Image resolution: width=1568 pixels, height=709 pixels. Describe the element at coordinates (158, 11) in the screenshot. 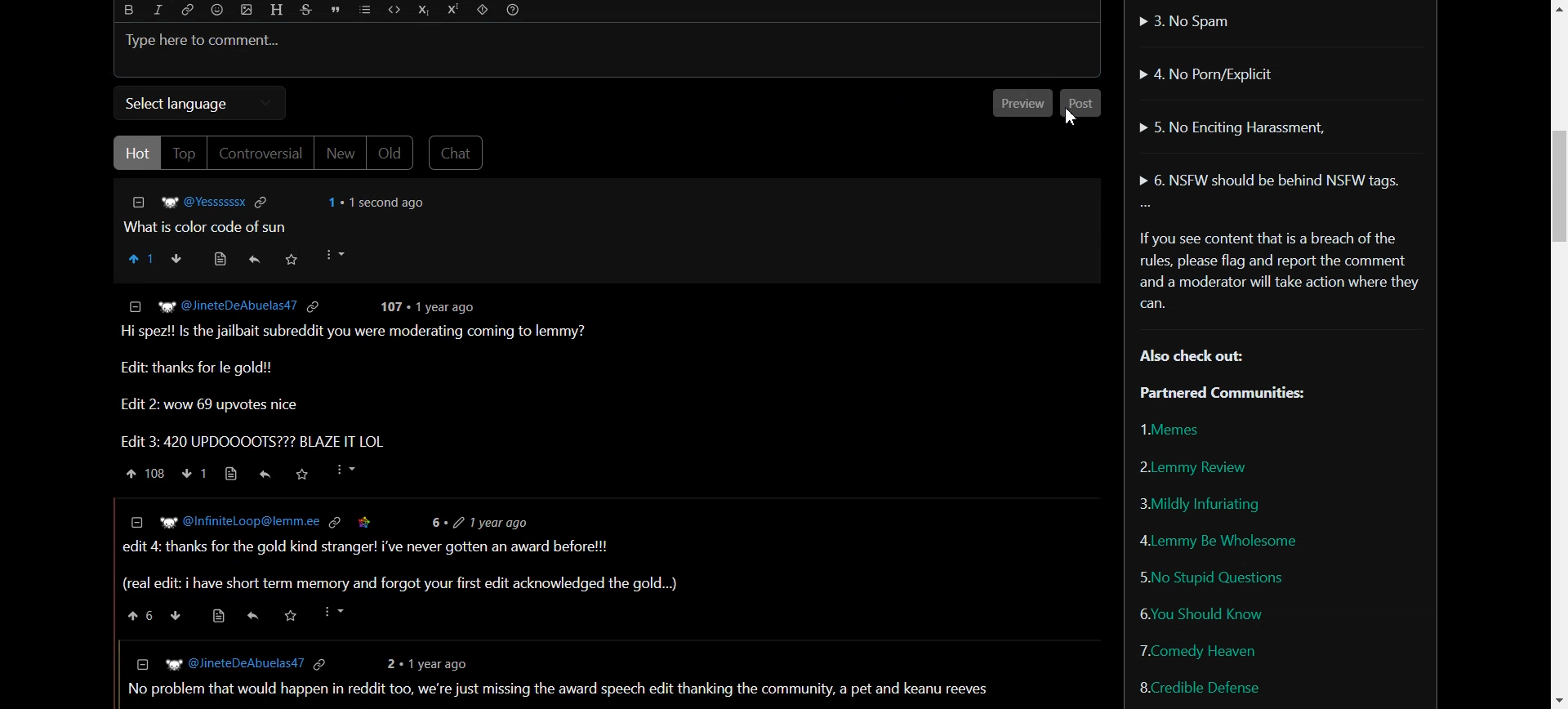

I see `Italic` at that location.